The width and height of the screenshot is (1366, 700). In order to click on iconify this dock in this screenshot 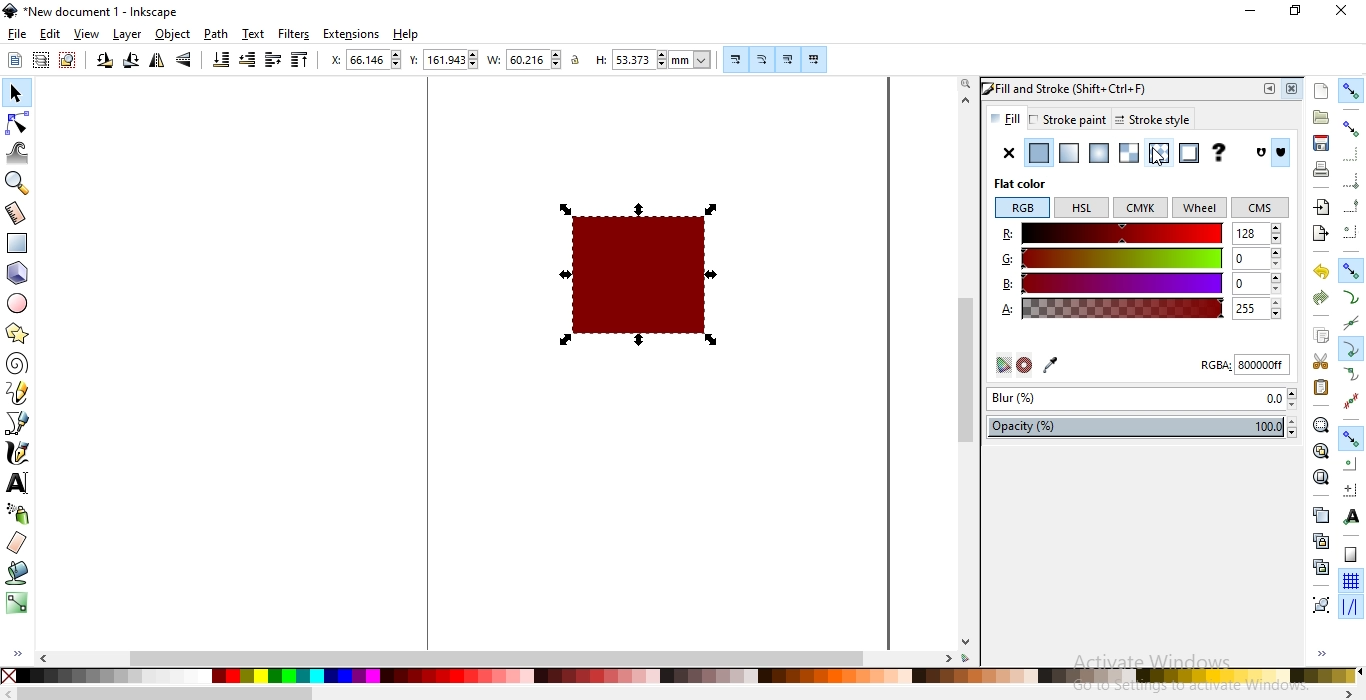, I will do `click(1269, 89)`.